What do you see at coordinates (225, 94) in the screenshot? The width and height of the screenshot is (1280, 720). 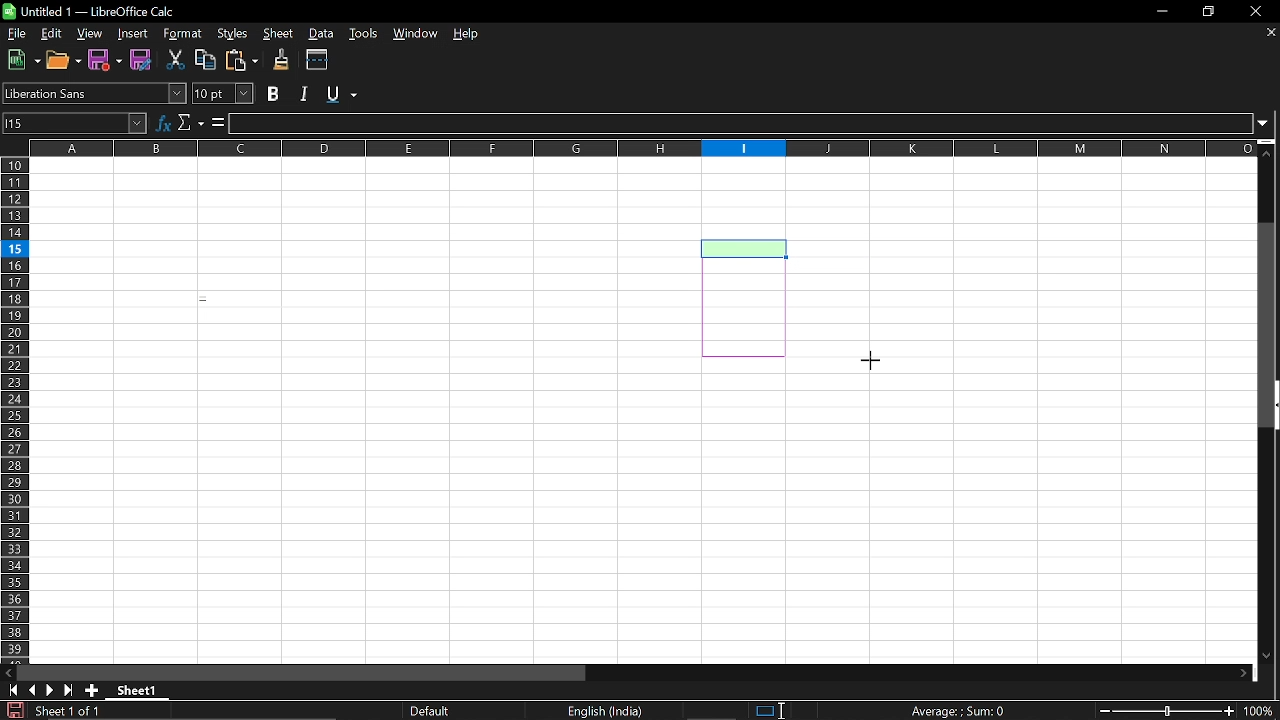 I see `Font size` at bounding box center [225, 94].